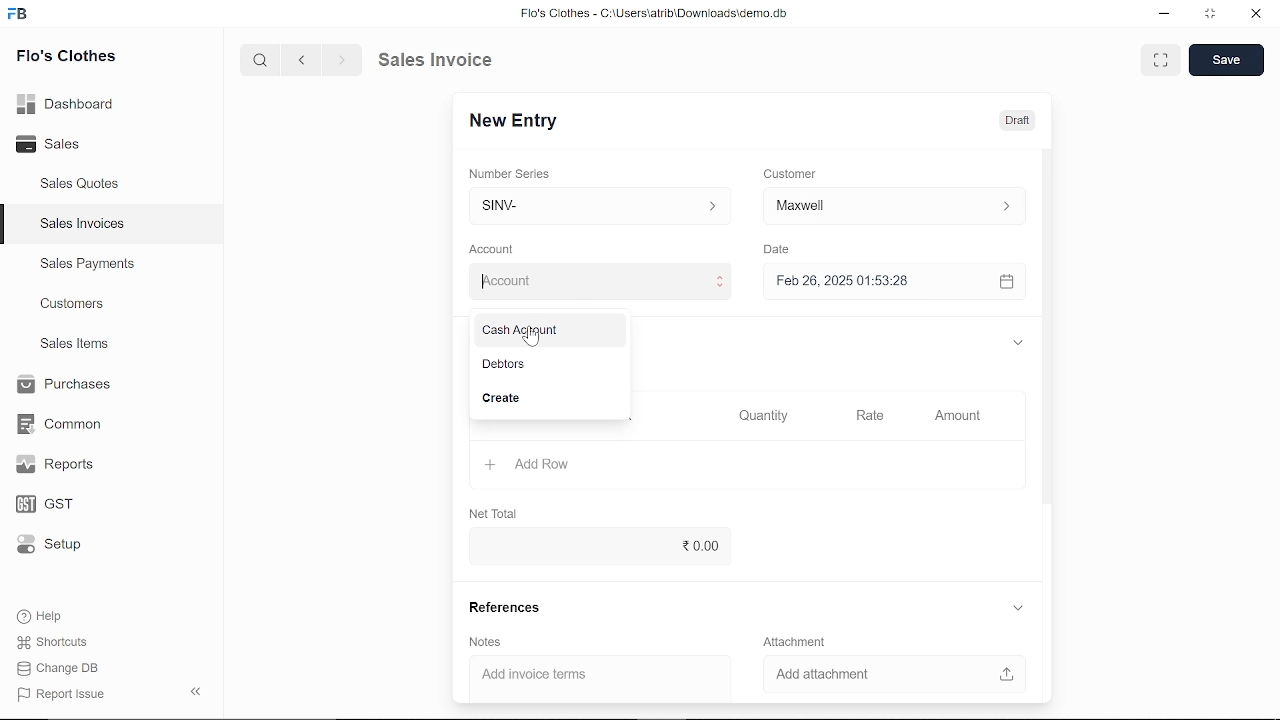 The image size is (1280, 720). I want to click on Flo's Clothes, so click(66, 58).